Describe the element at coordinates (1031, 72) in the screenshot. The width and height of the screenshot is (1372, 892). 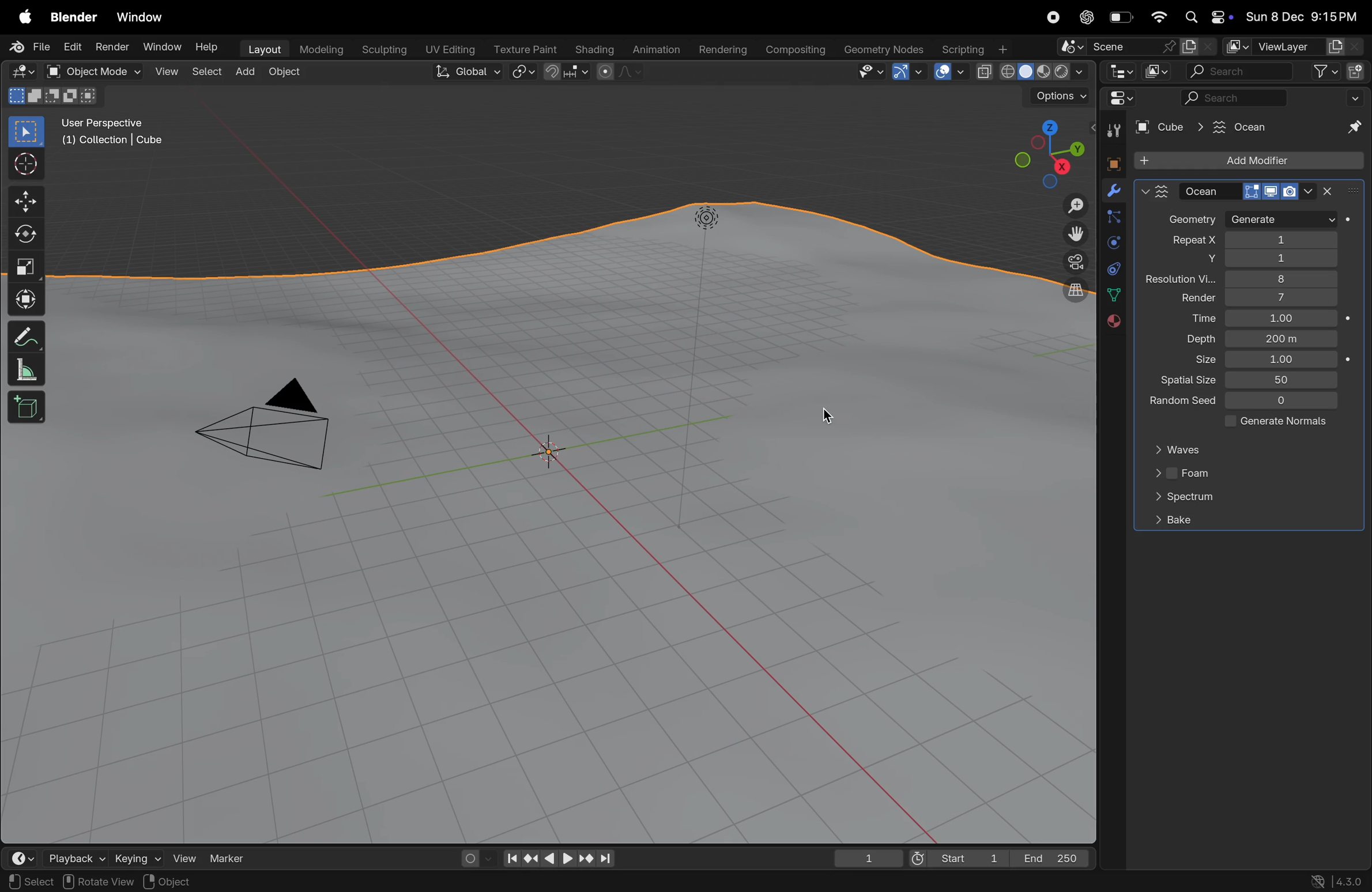
I see `view port shading` at that location.